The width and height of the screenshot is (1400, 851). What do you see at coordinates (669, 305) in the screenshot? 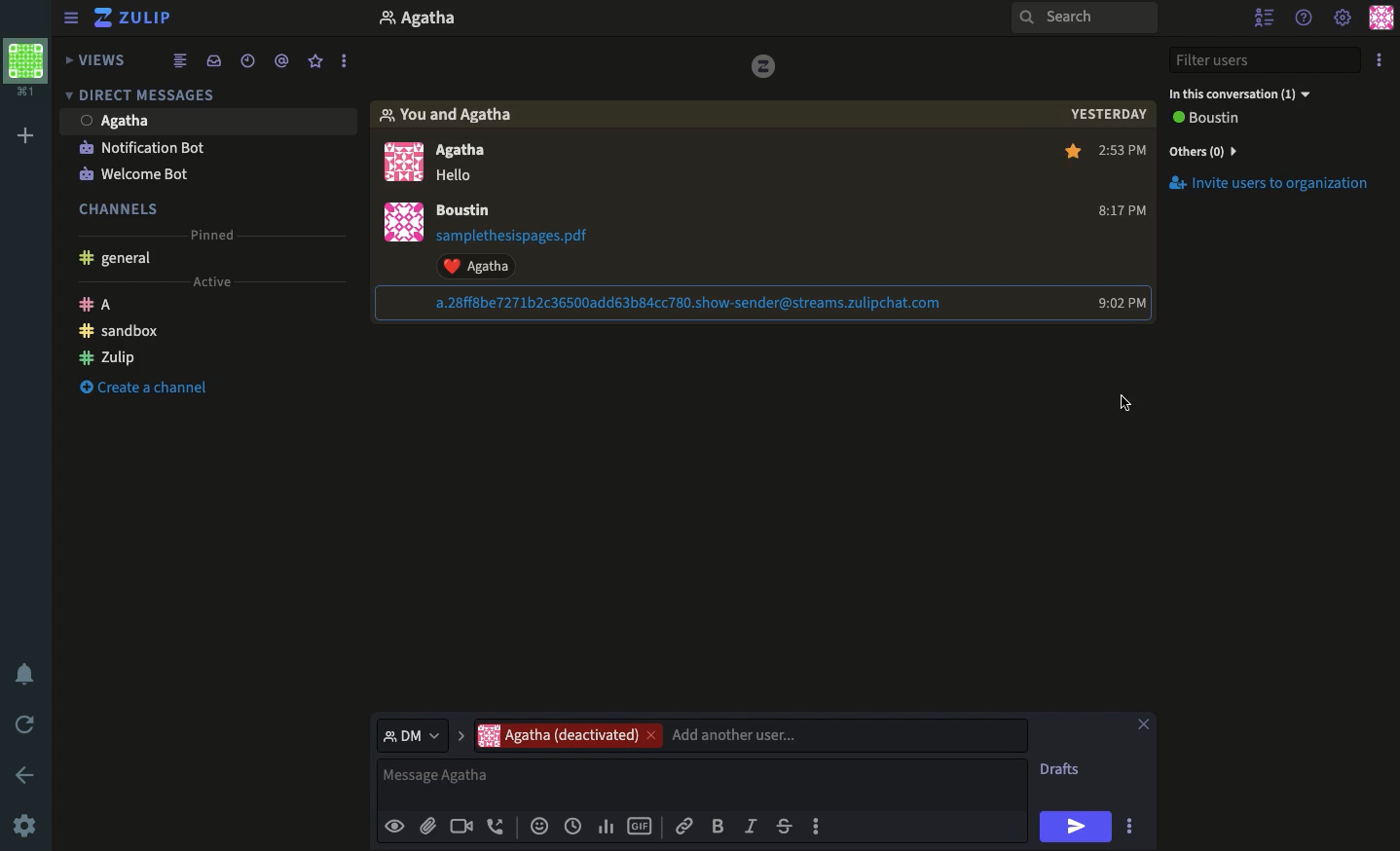
I see `File attachment` at bounding box center [669, 305].